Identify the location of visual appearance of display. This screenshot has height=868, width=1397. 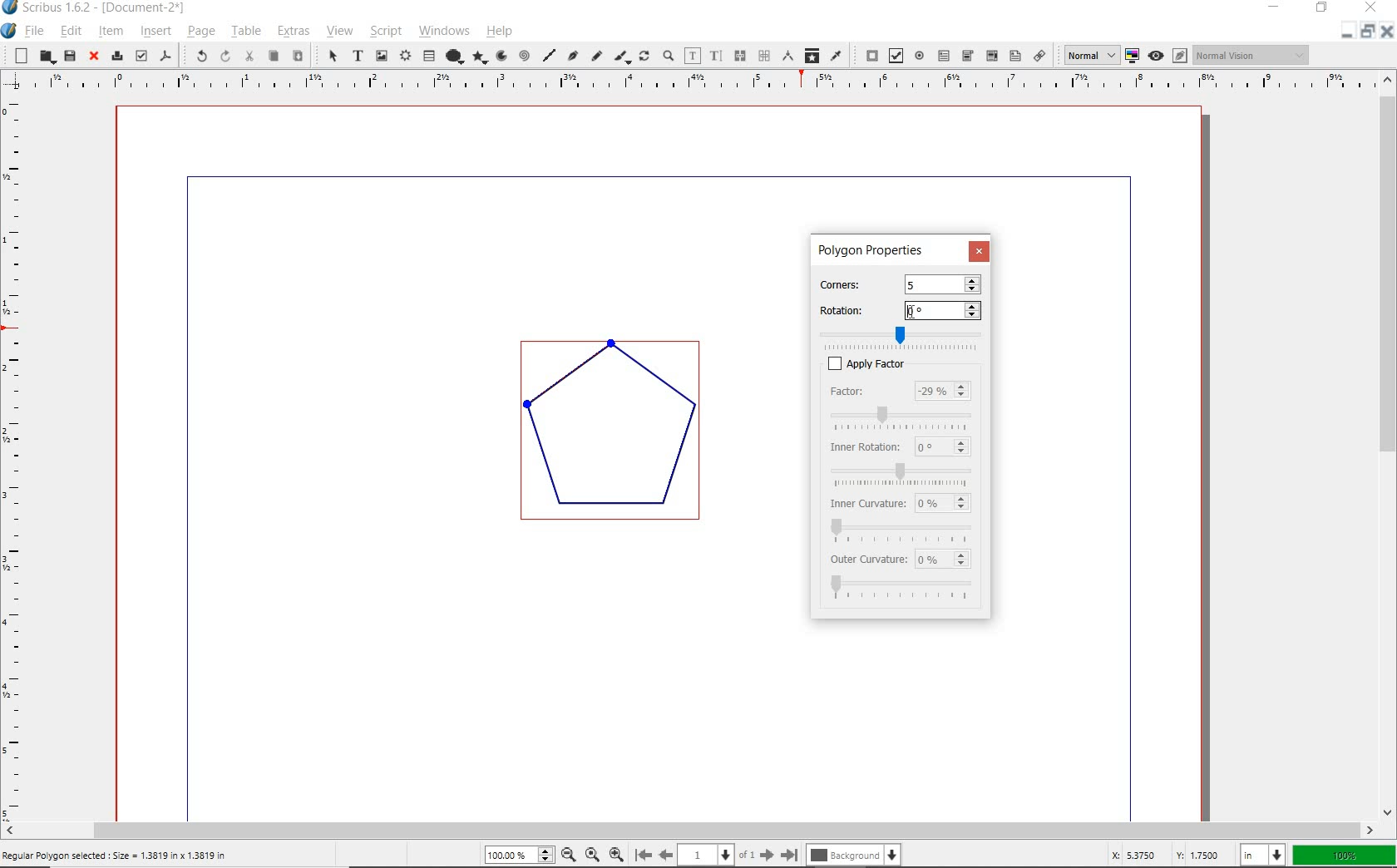
(1251, 55).